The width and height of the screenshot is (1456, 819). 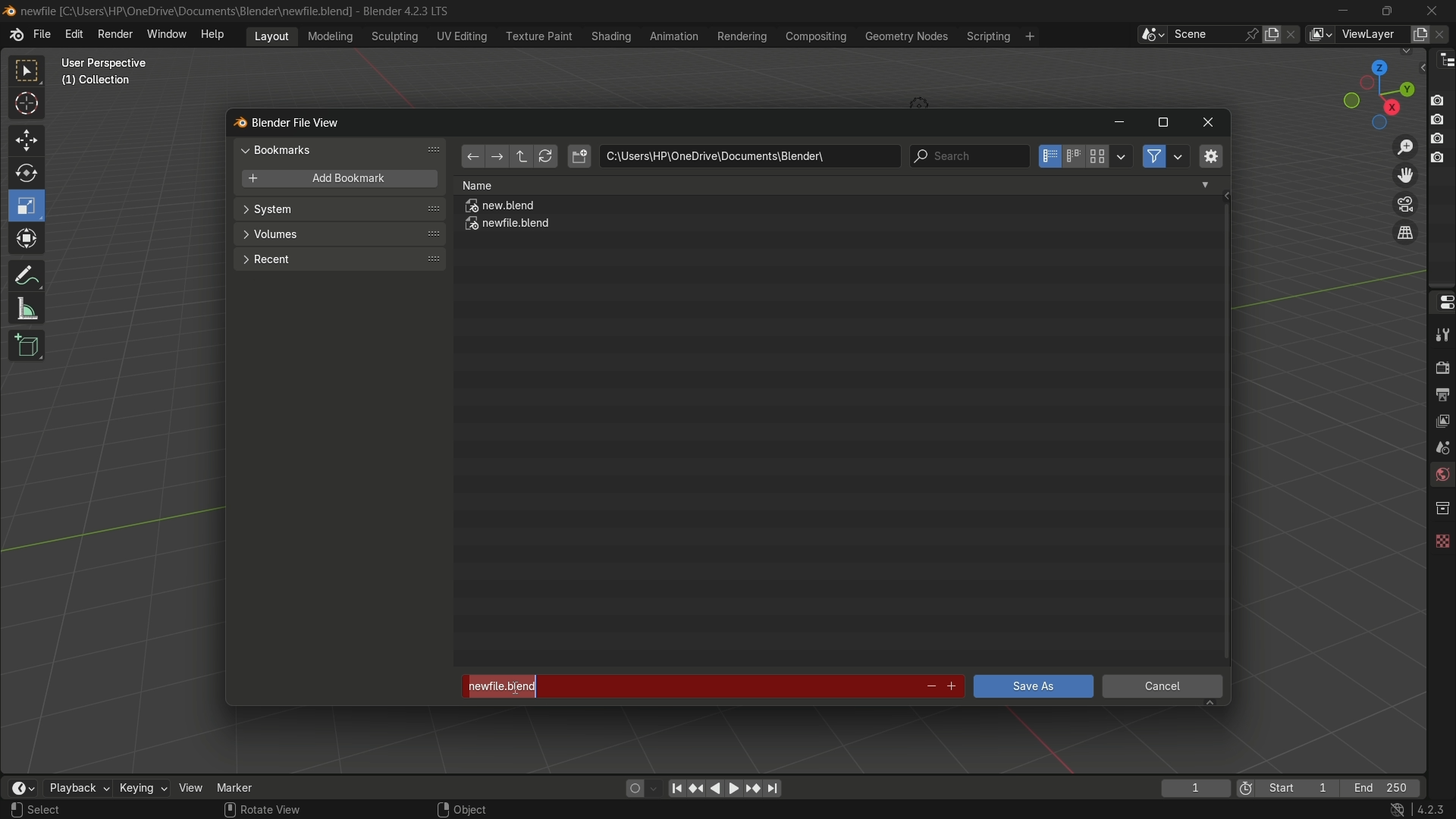 I want to click on horizontal list, so click(x=1073, y=156).